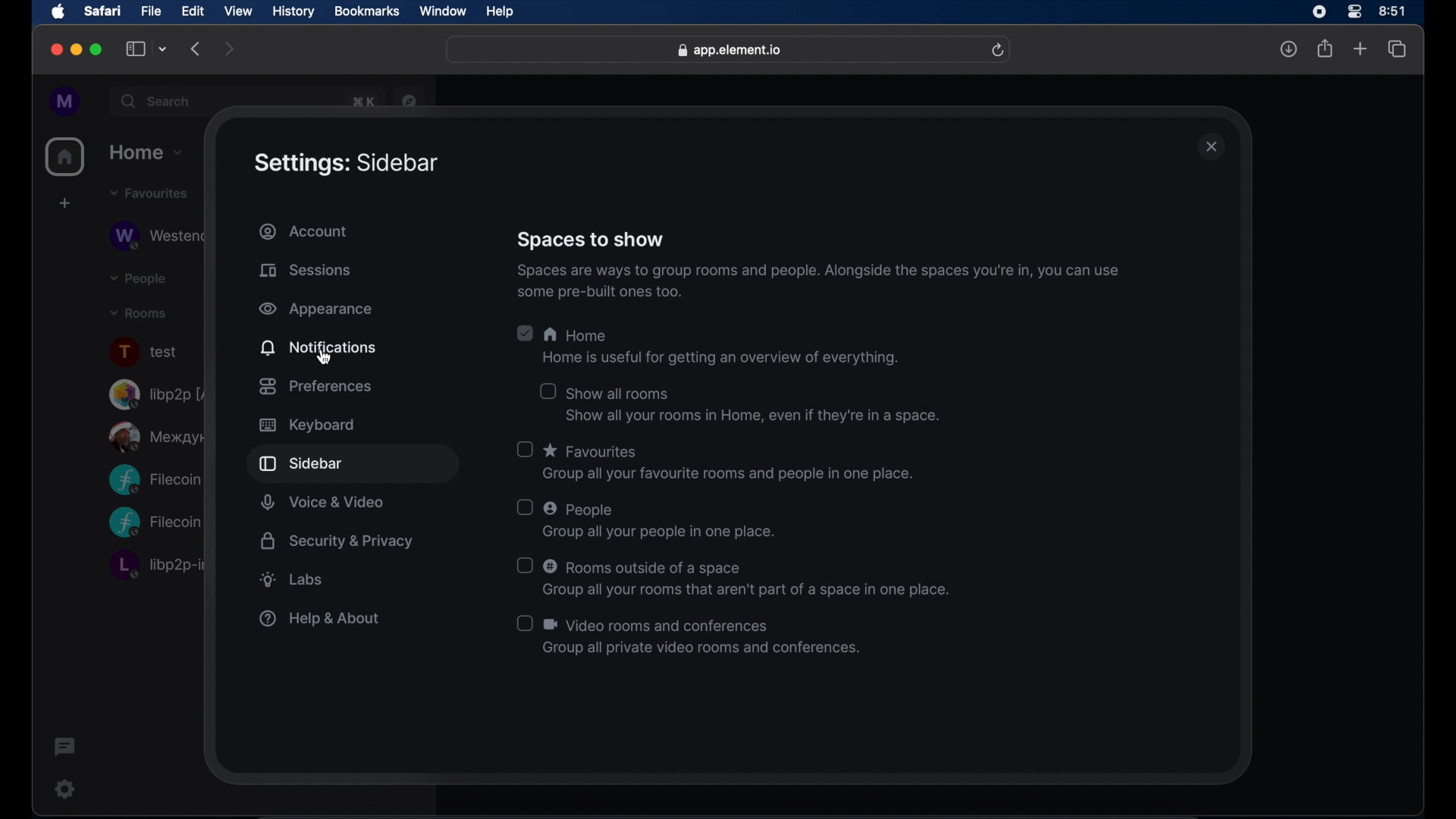 The image size is (1456, 819). Describe the element at coordinates (154, 12) in the screenshot. I see `file` at that location.